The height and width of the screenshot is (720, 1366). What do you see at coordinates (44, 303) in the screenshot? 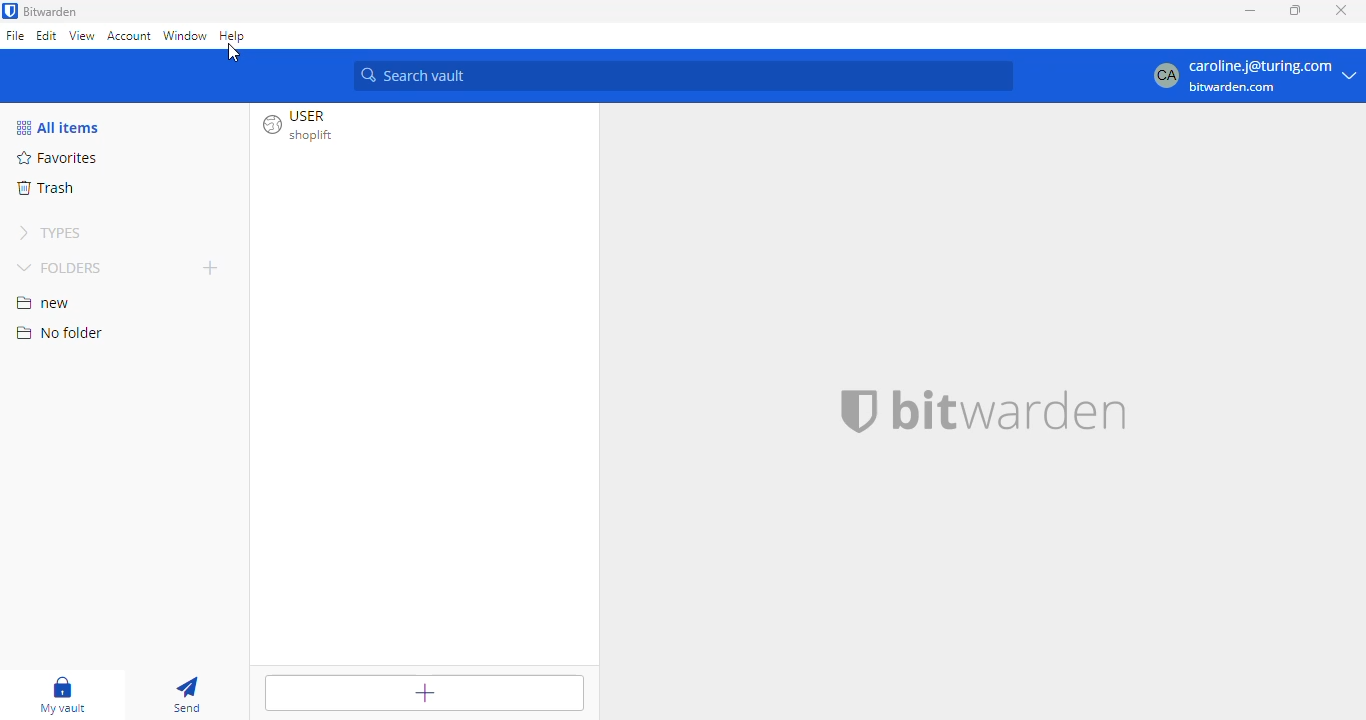
I see `new` at bounding box center [44, 303].